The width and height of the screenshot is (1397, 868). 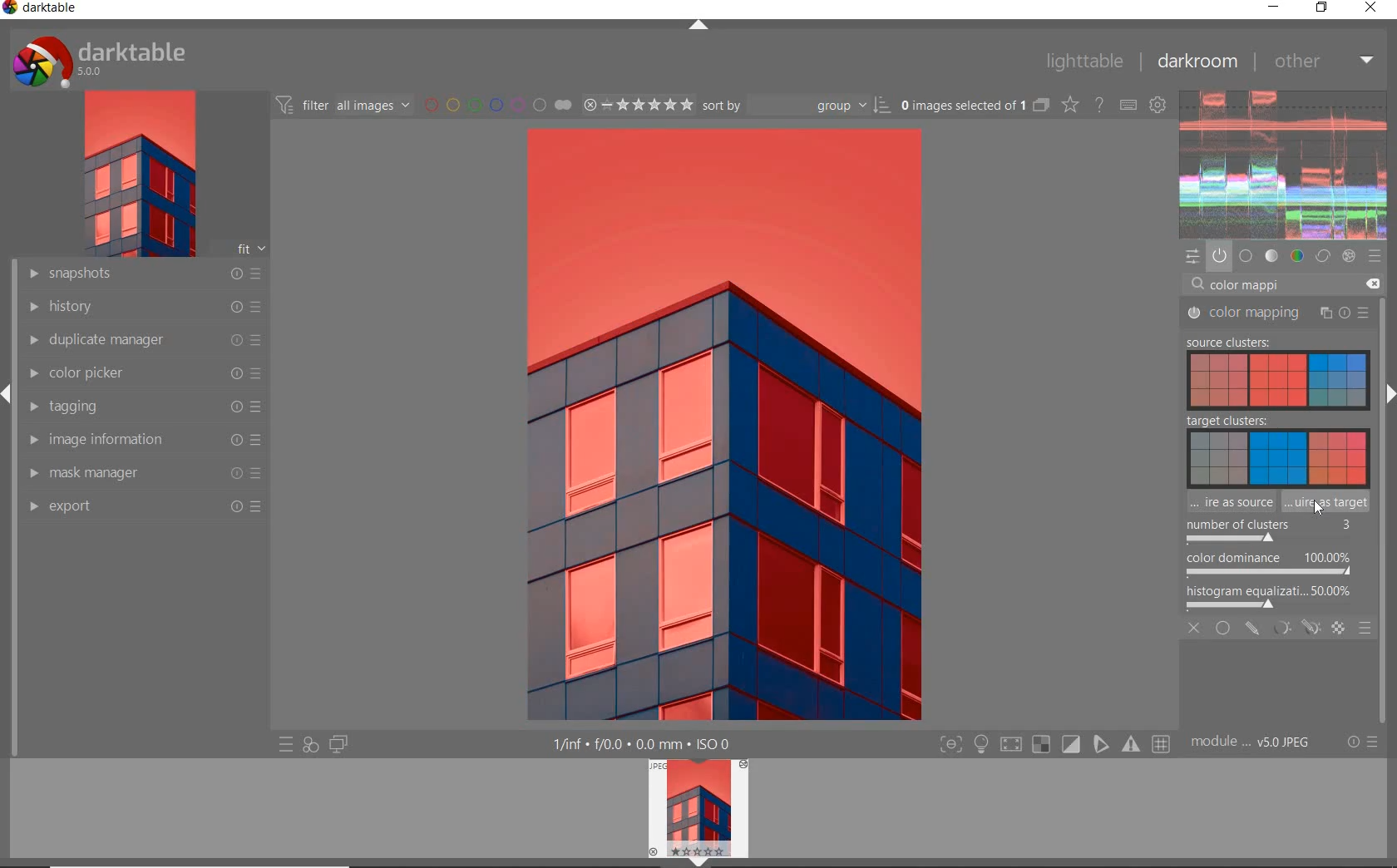 I want to click on sort, so click(x=796, y=104).